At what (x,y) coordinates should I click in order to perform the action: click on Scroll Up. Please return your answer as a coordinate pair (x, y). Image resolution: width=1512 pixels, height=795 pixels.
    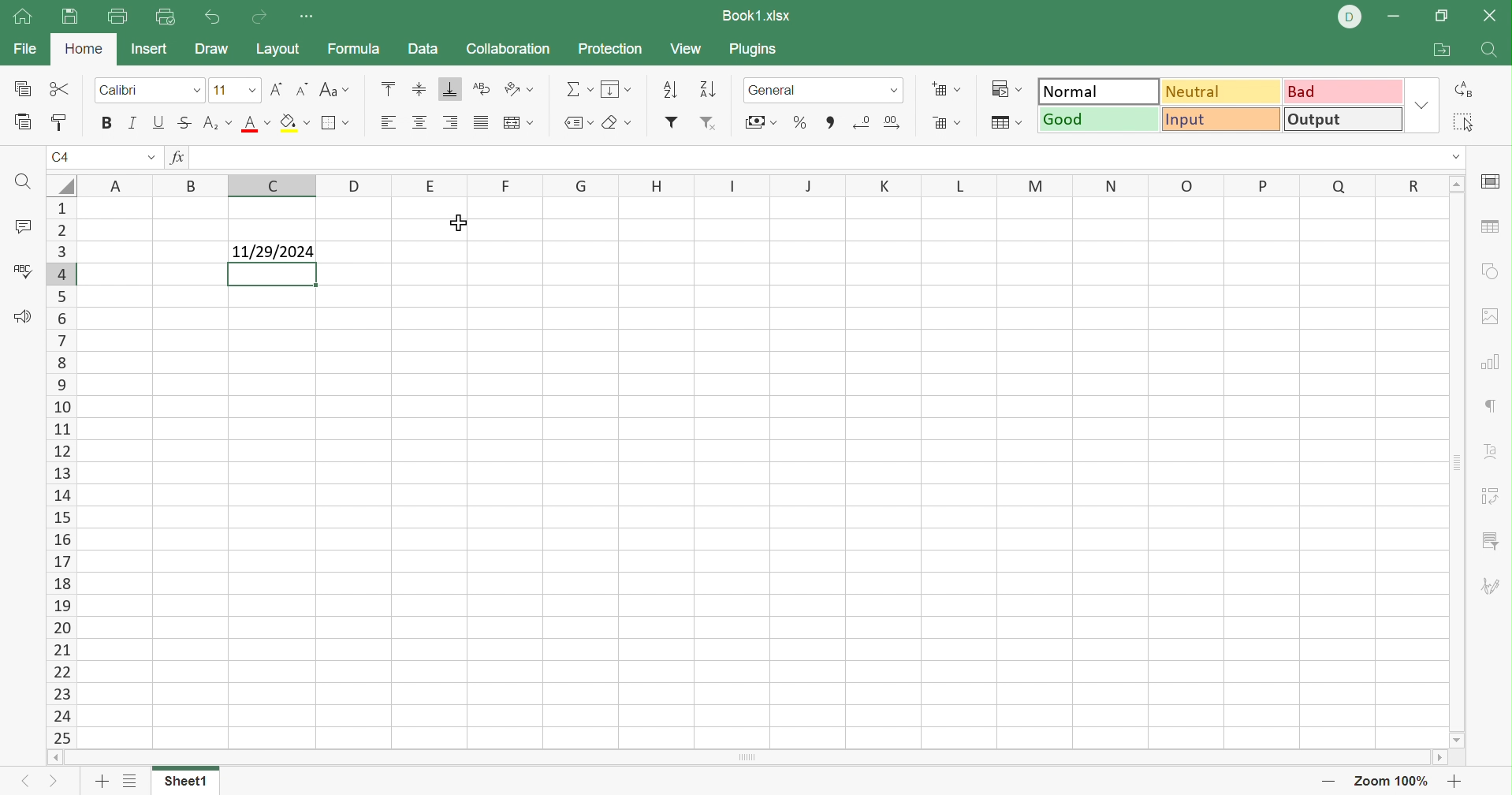
    Looking at the image, I should click on (1458, 185).